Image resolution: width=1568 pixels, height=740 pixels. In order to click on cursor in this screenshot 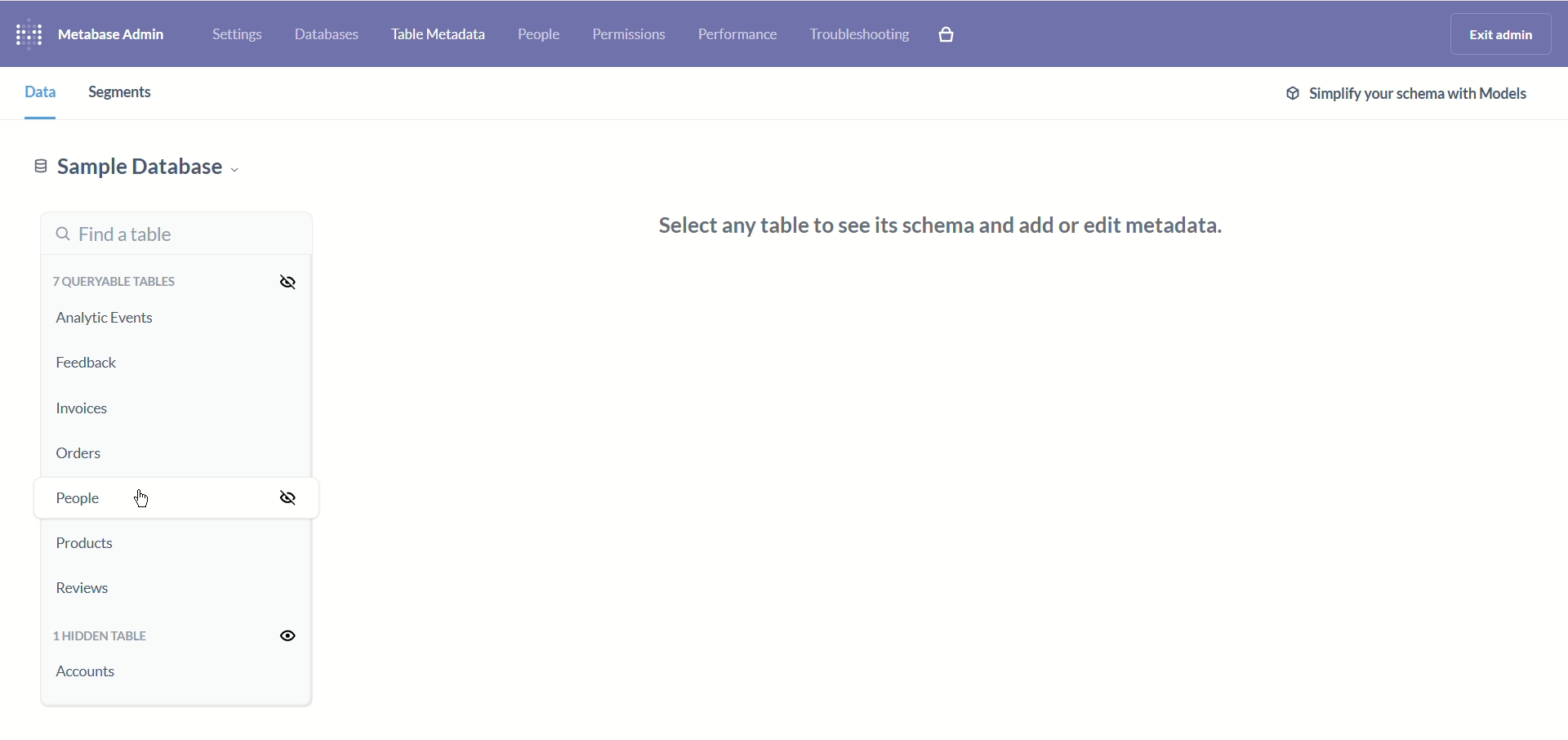, I will do `click(145, 500)`.